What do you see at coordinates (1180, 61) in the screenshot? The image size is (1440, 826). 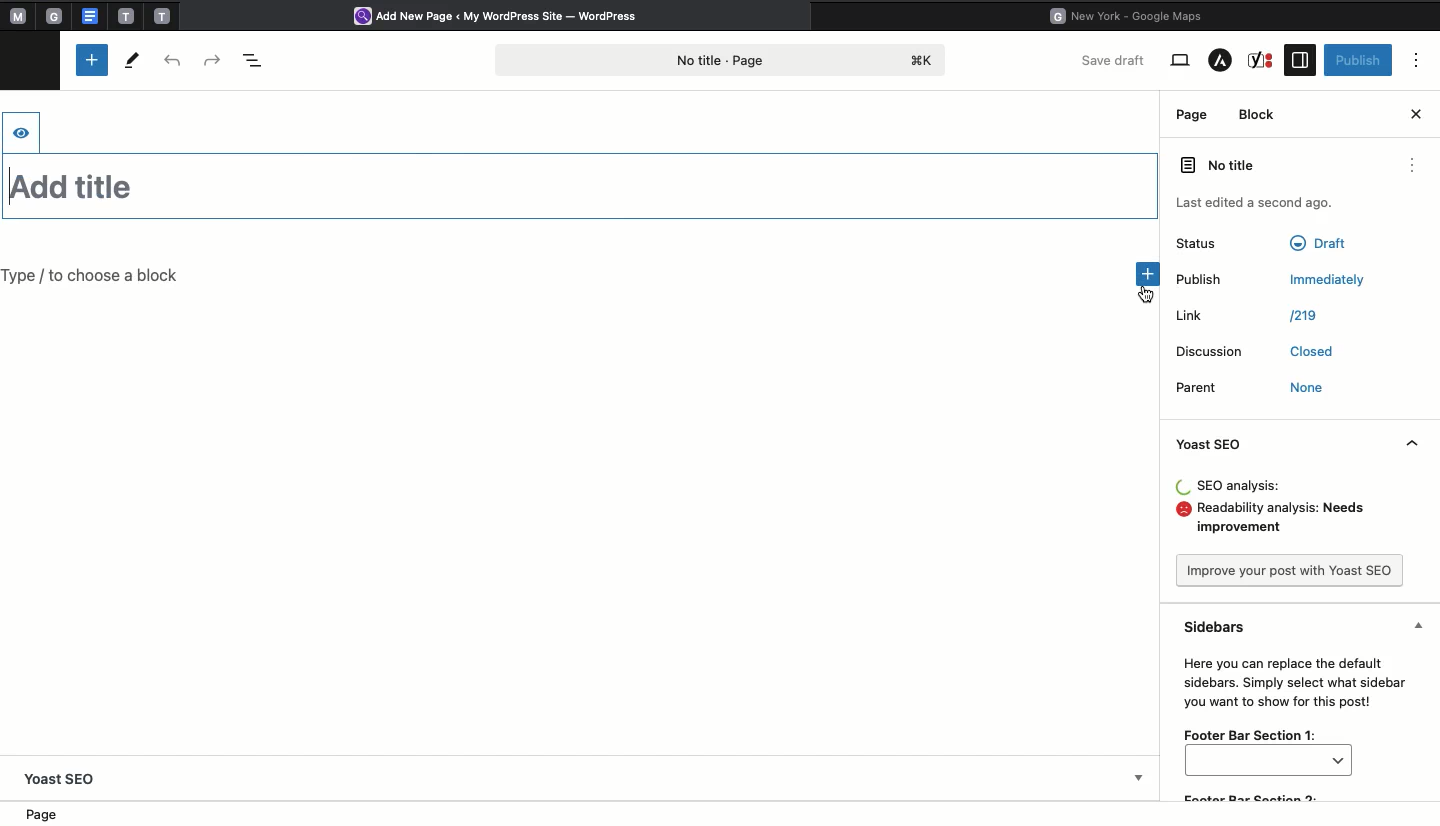 I see `View` at bounding box center [1180, 61].